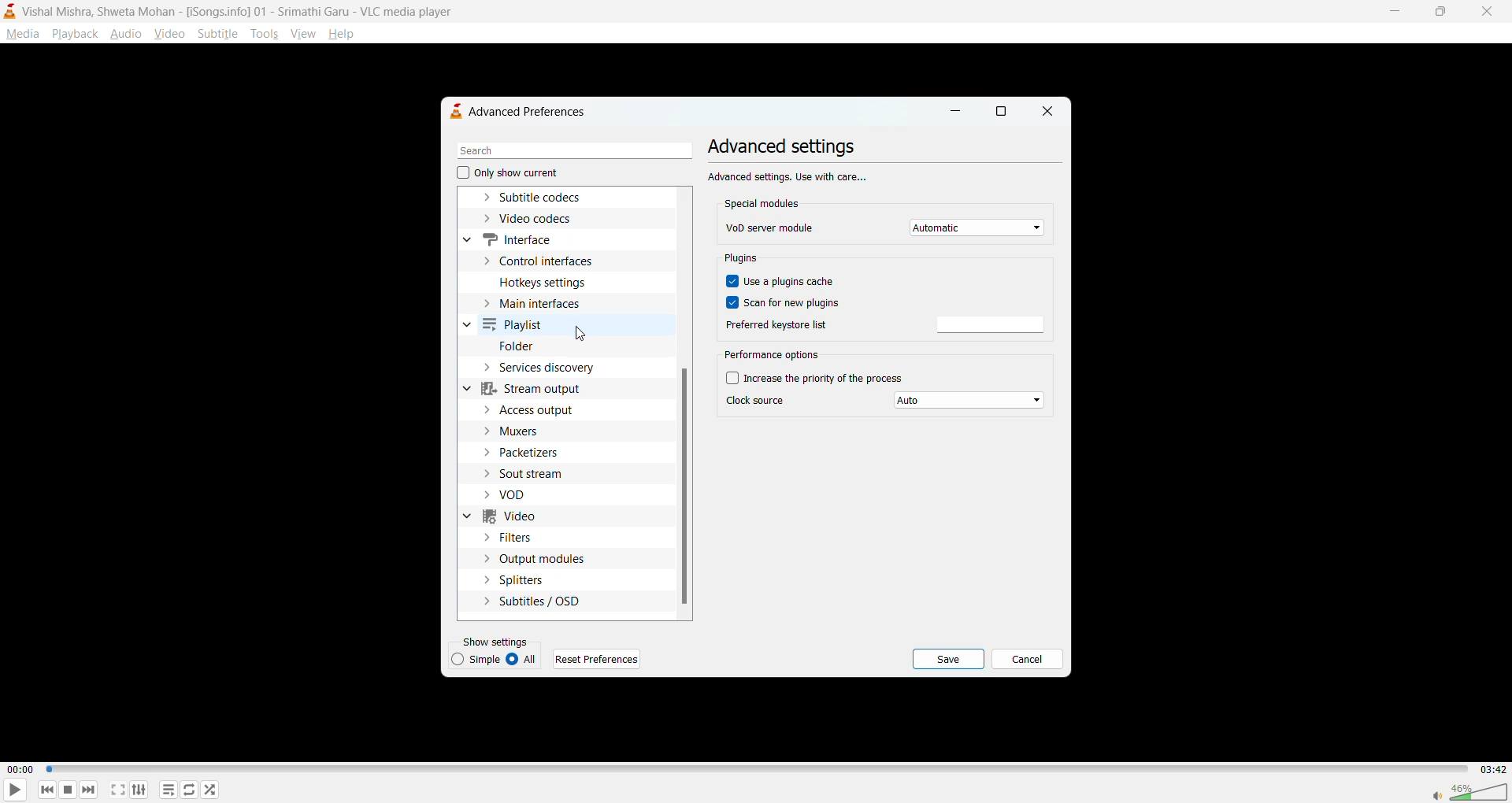 This screenshot has width=1512, height=803. What do you see at coordinates (971, 401) in the screenshot?
I see `clock source dropdown` at bounding box center [971, 401].